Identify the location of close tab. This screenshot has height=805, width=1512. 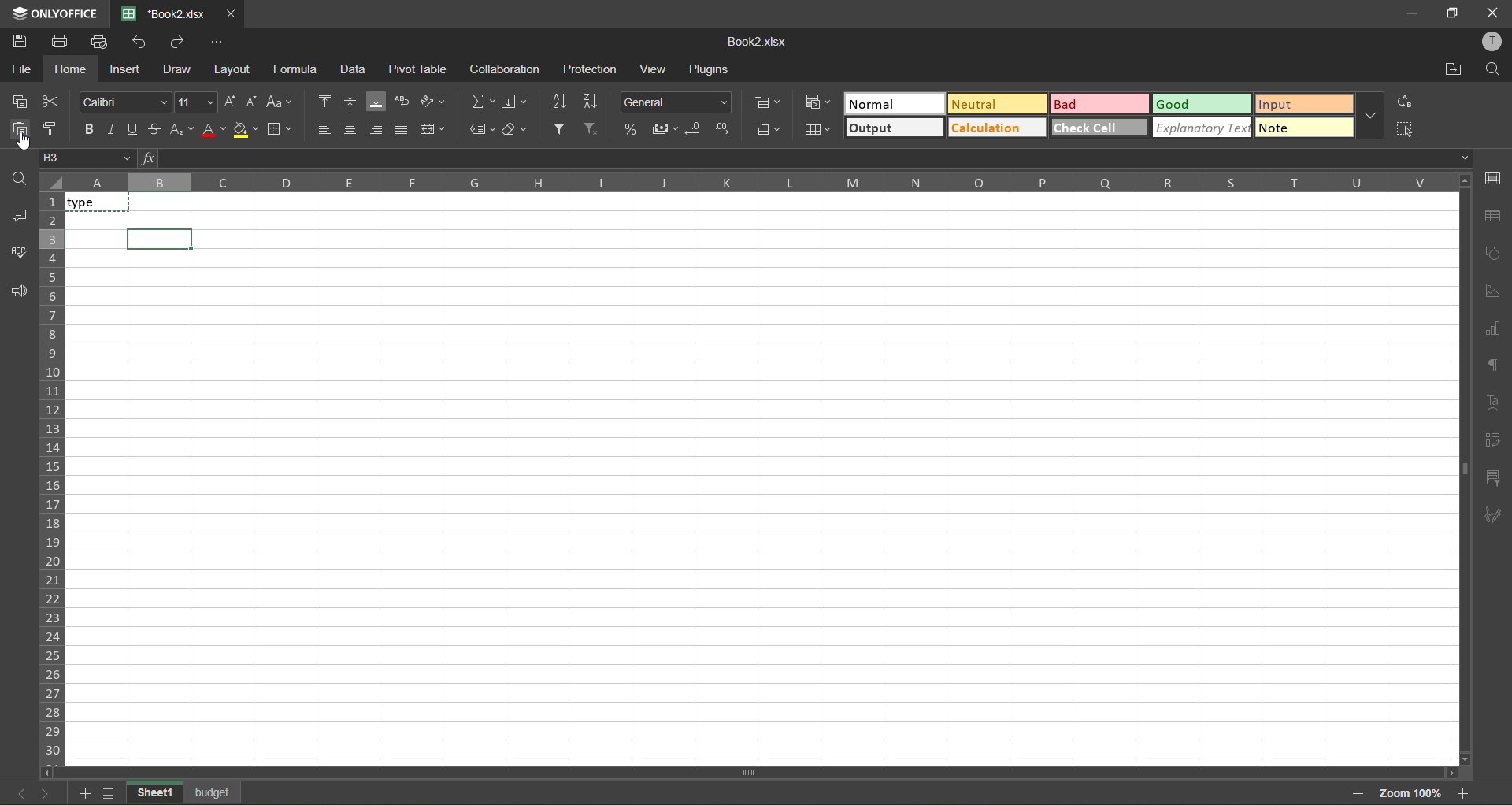
(228, 15).